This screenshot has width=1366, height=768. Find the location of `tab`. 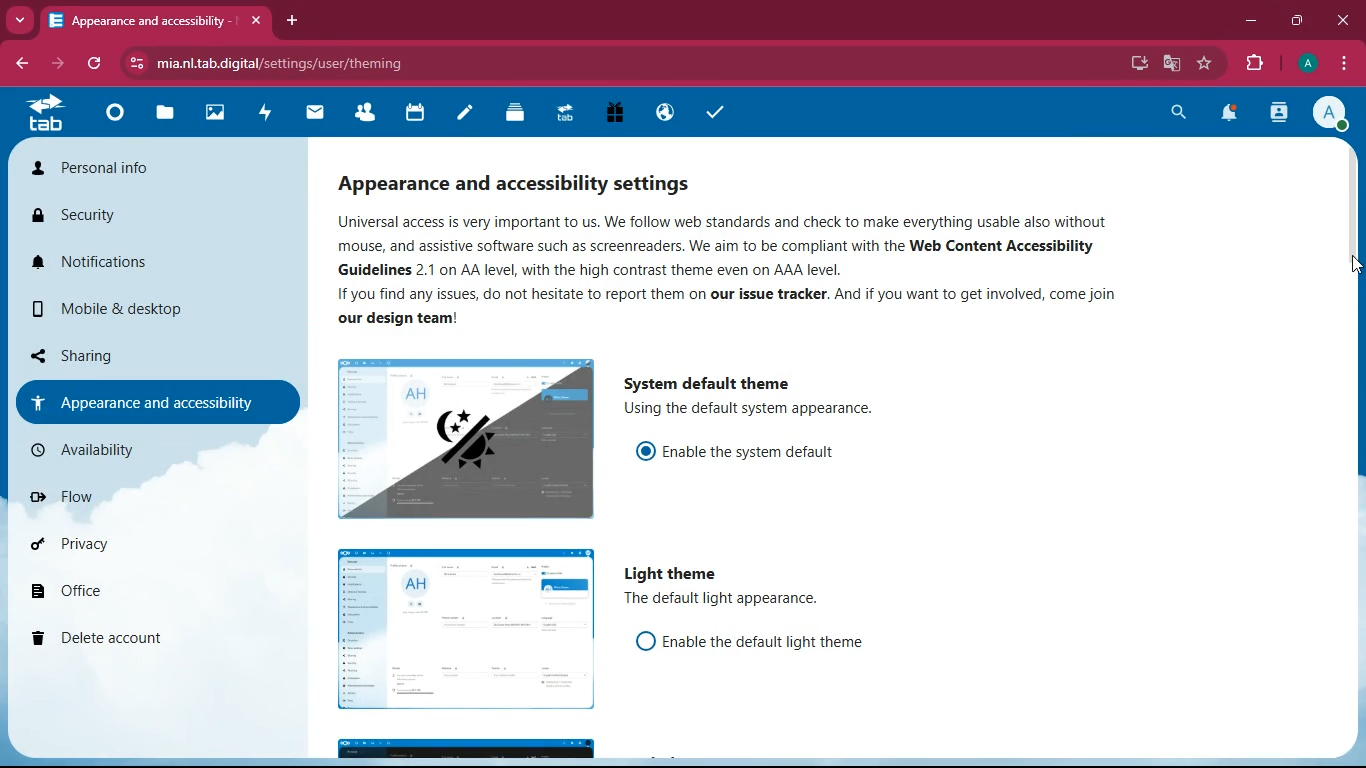

tab is located at coordinates (41, 118).